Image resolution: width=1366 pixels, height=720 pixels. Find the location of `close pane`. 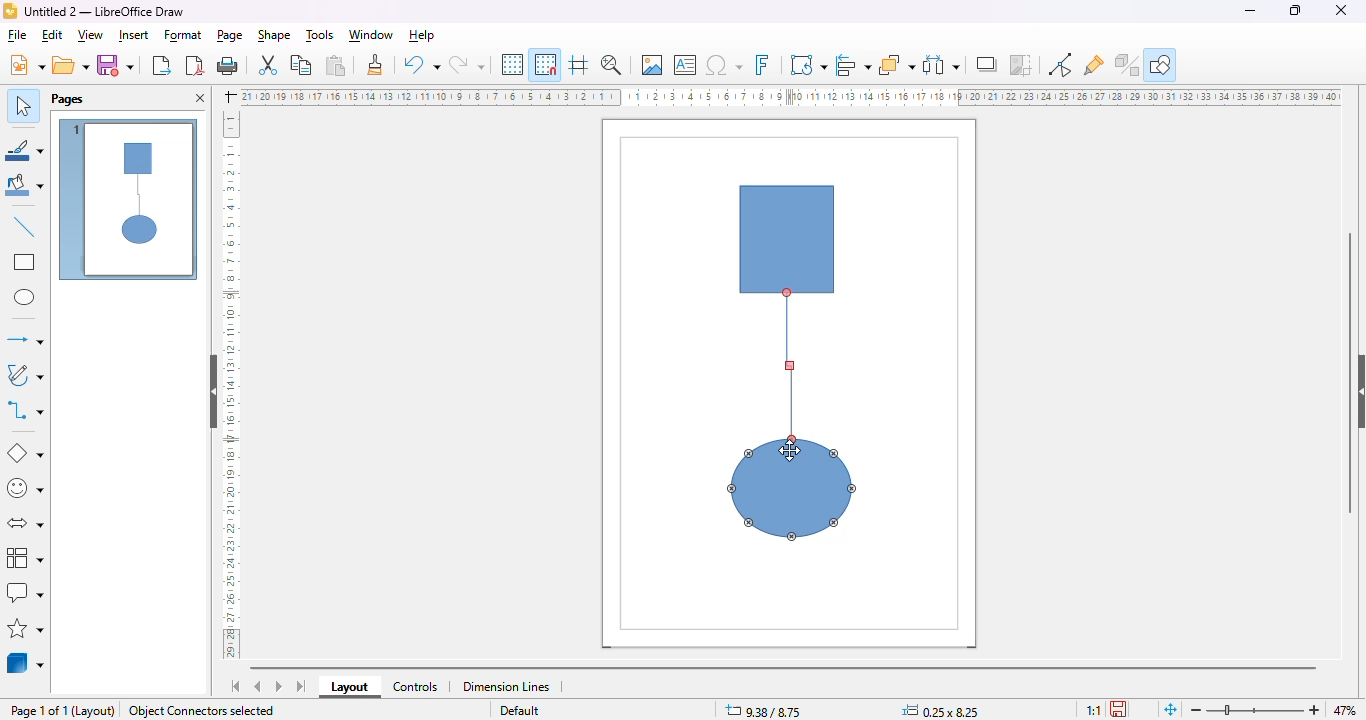

close pane is located at coordinates (199, 99).